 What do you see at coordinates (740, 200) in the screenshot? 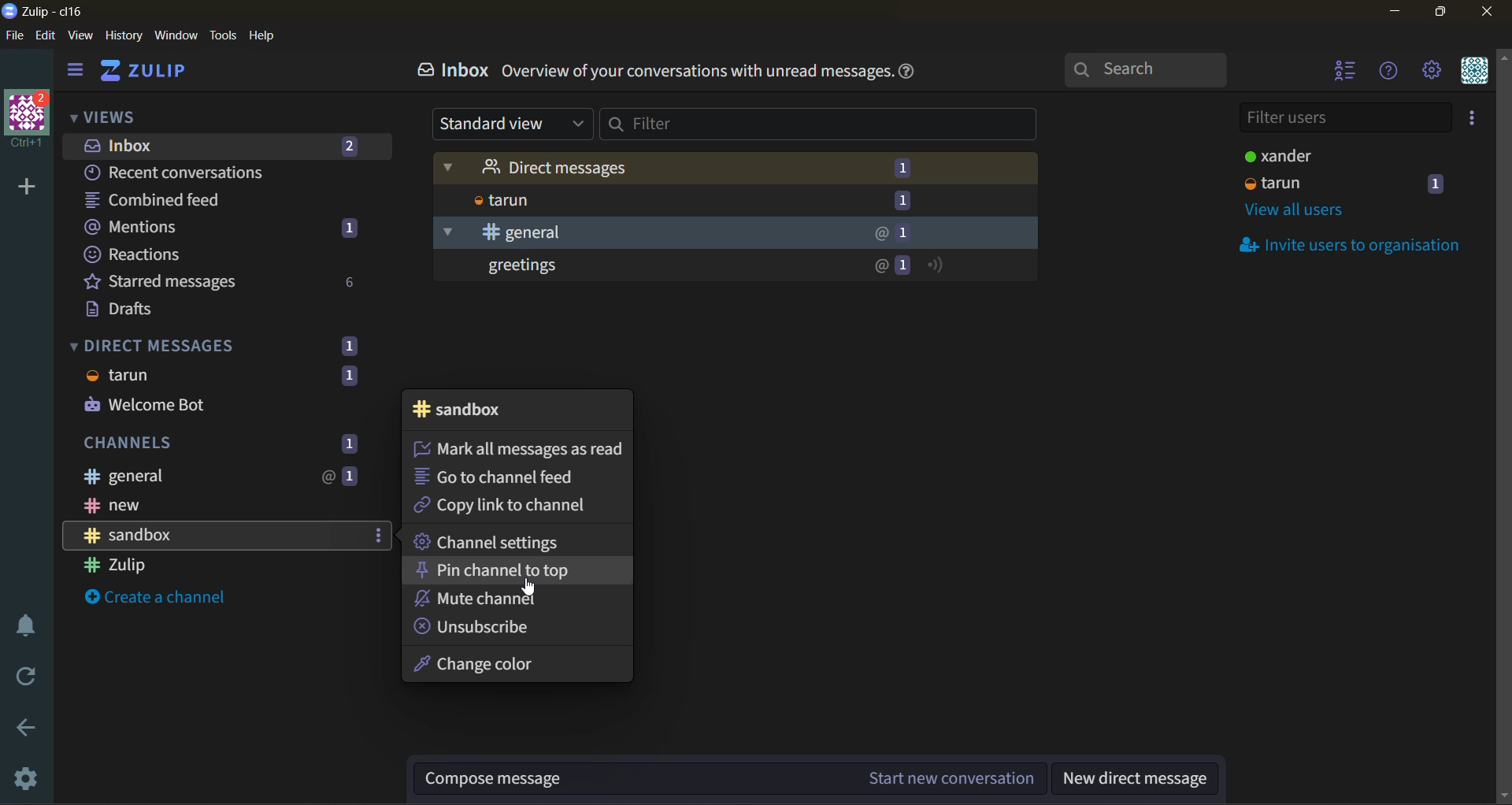
I see `tarun` at bounding box center [740, 200].